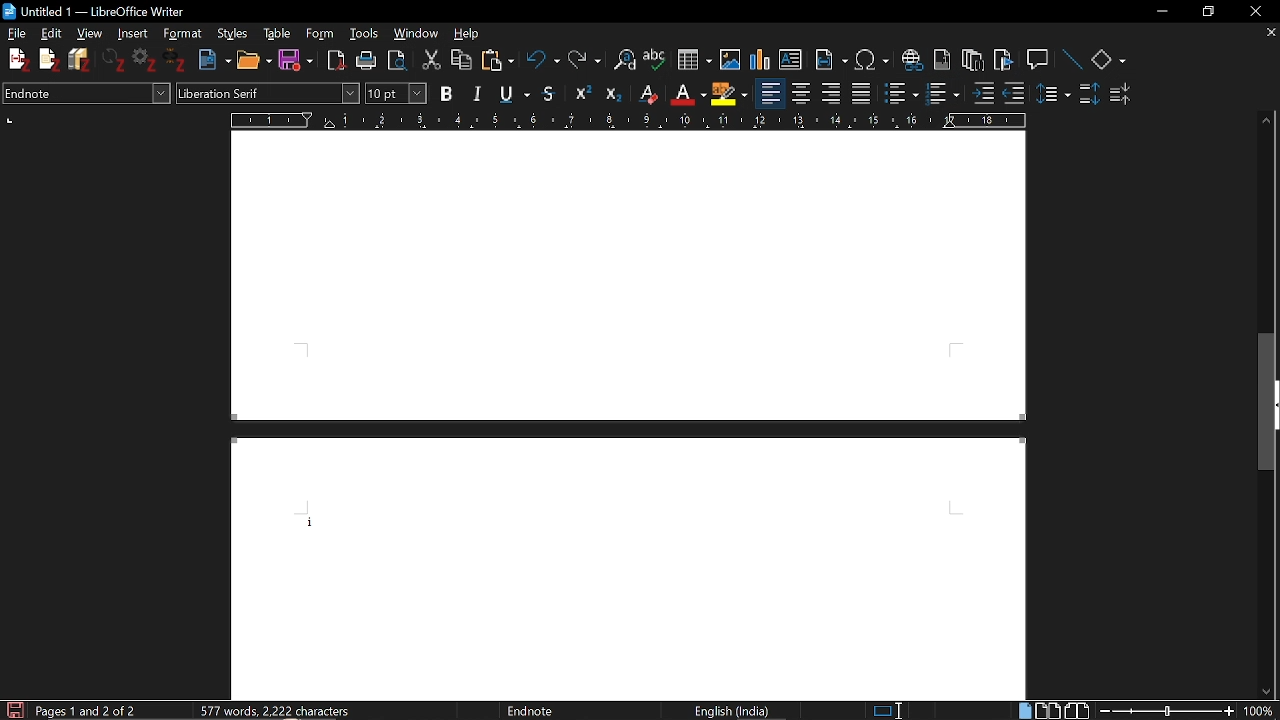 This screenshot has height=720, width=1280. Describe the element at coordinates (109, 11) in the screenshot. I see `untitled 1 - libreoffice writter` at that location.